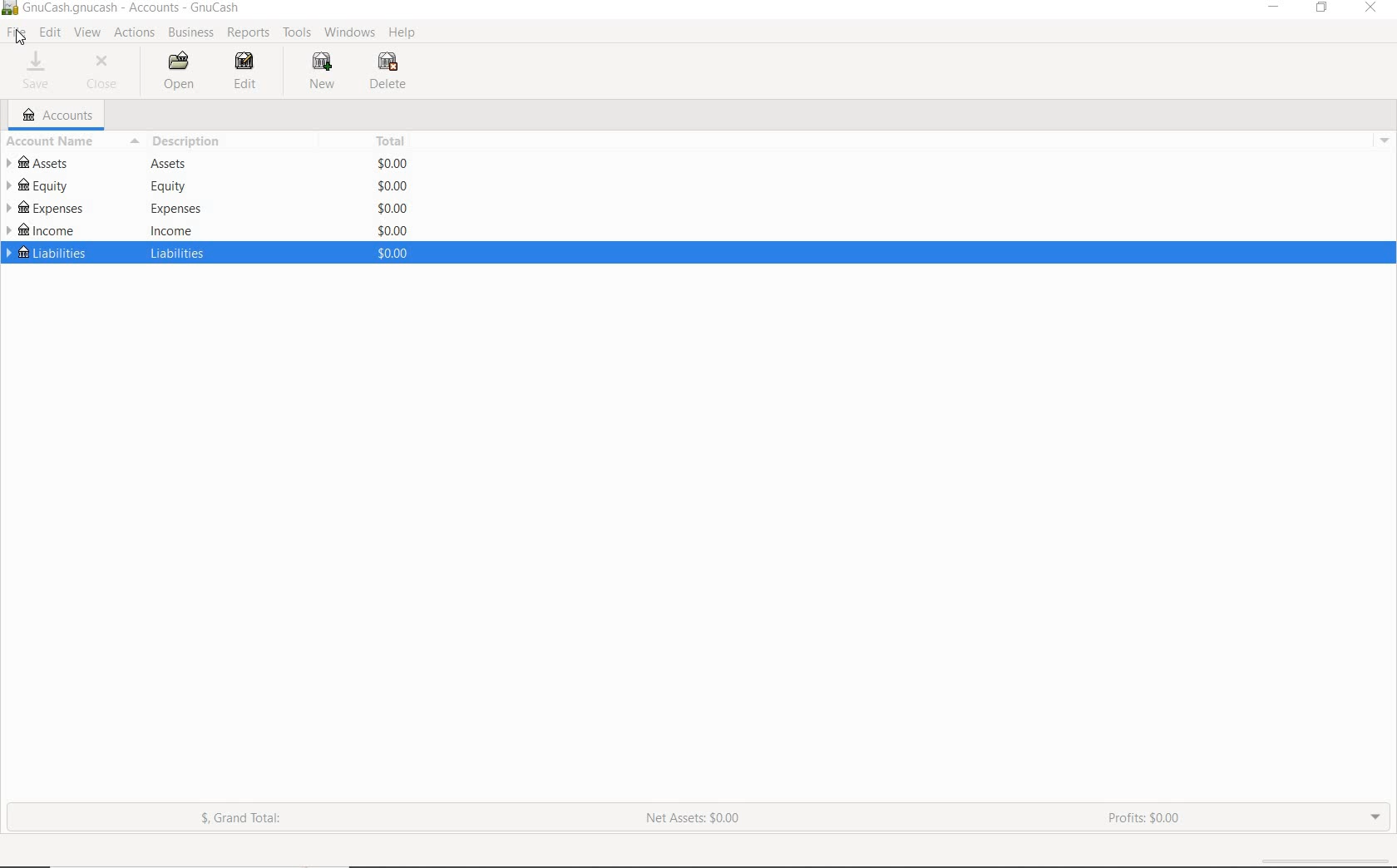 Image resolution: width=1397 pixels, height=868 pixels. What do you see at coordinates (55, 115) in the screenshot?
I see `ACCOUNTS` at bounding box center [55, 115].